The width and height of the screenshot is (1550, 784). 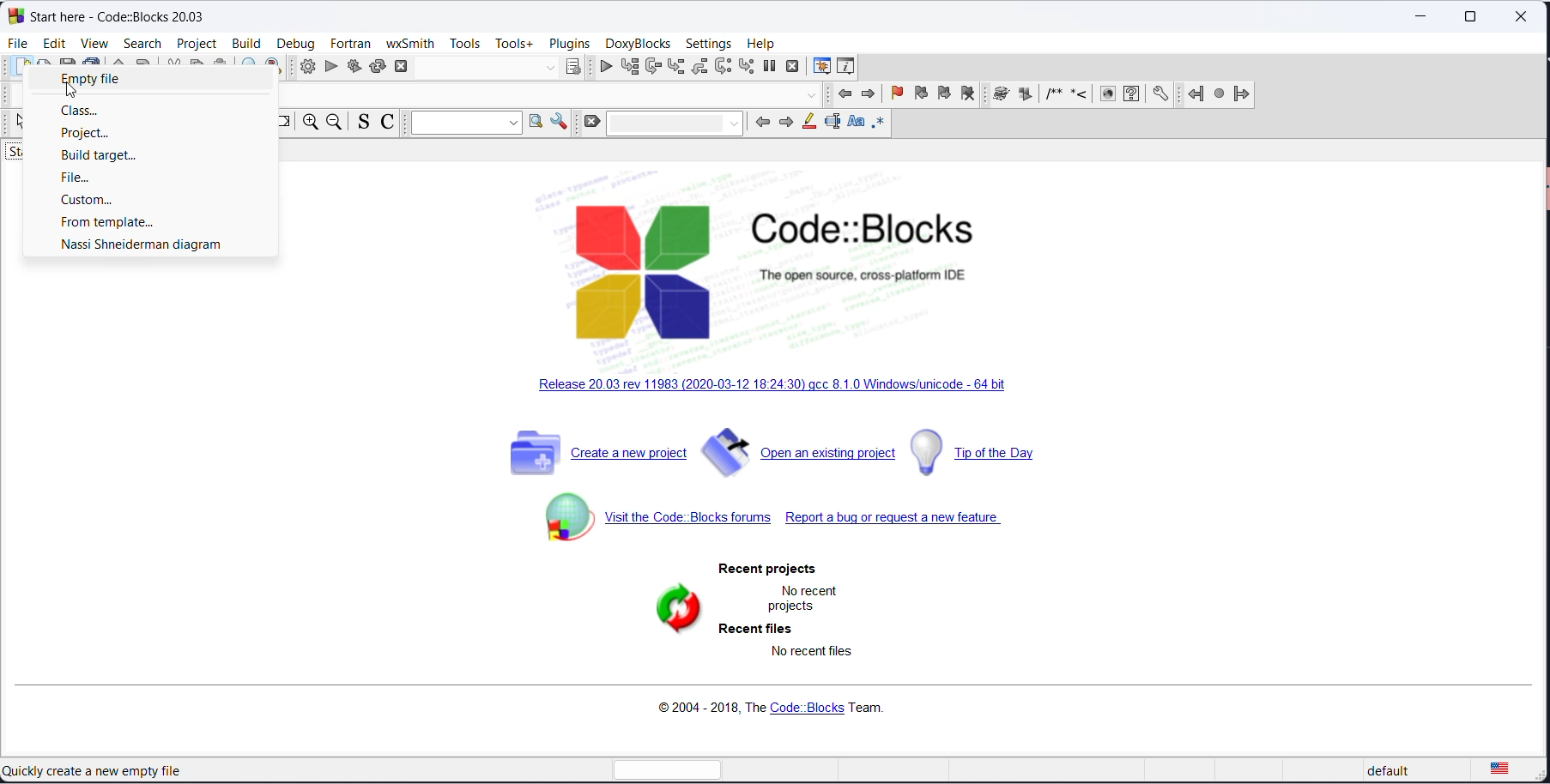 I want to click on Start here, so click(x=122, y=14).